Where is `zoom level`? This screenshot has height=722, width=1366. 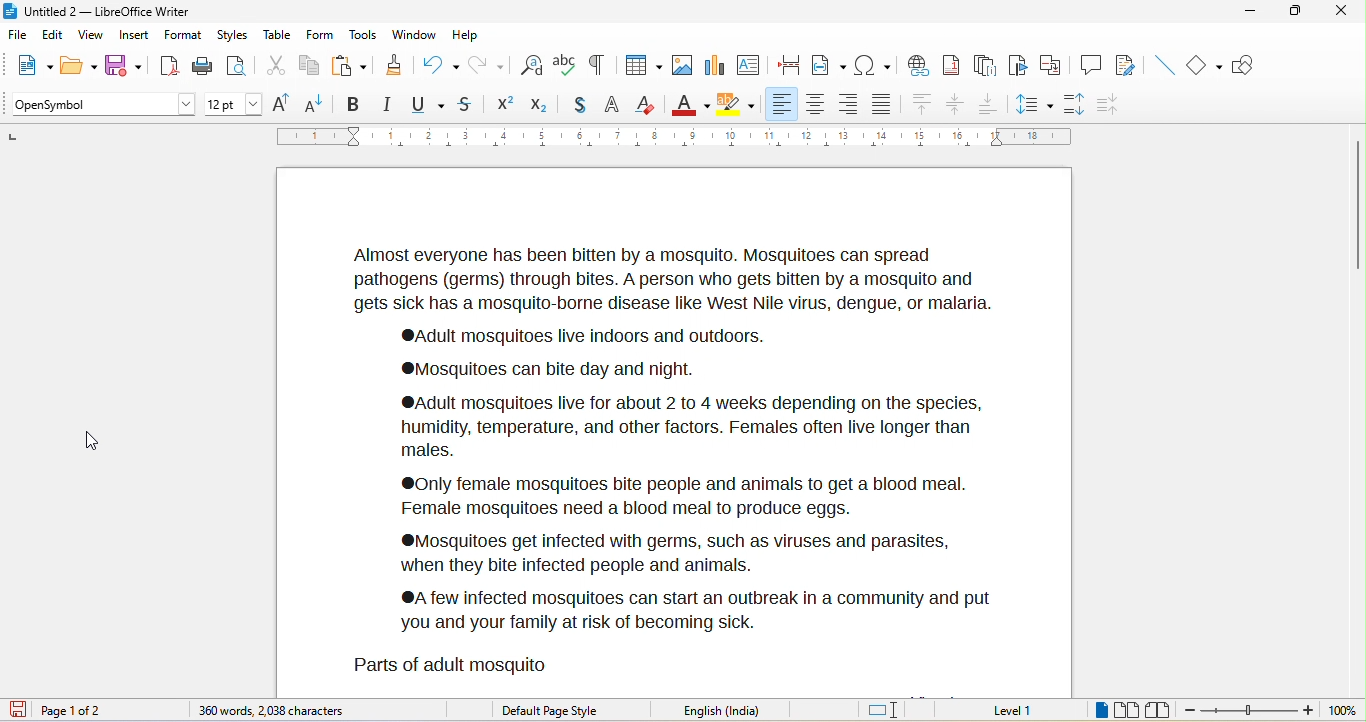 zoom level is located at coordinates (1342, 711).